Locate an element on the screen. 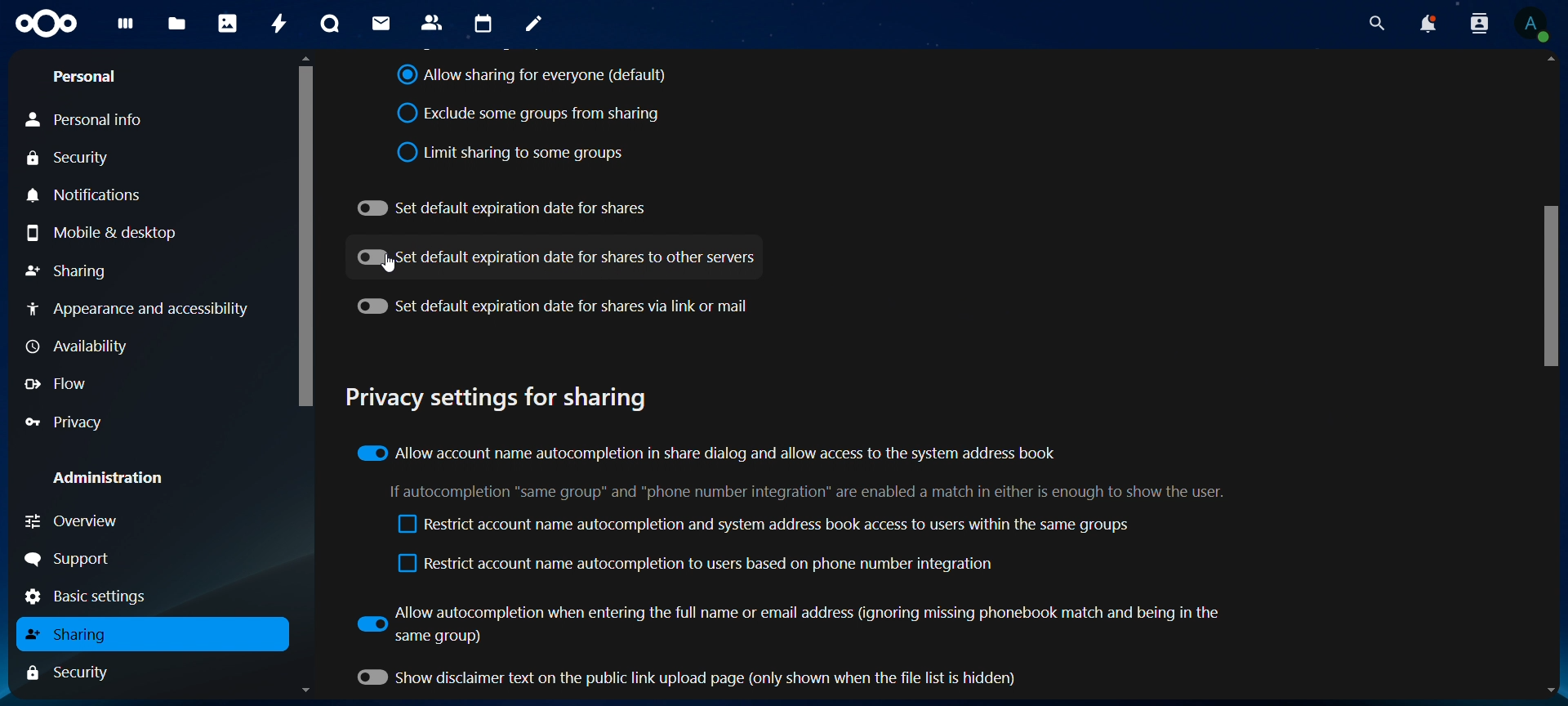  notiifications is located at coordinates (87, 194).